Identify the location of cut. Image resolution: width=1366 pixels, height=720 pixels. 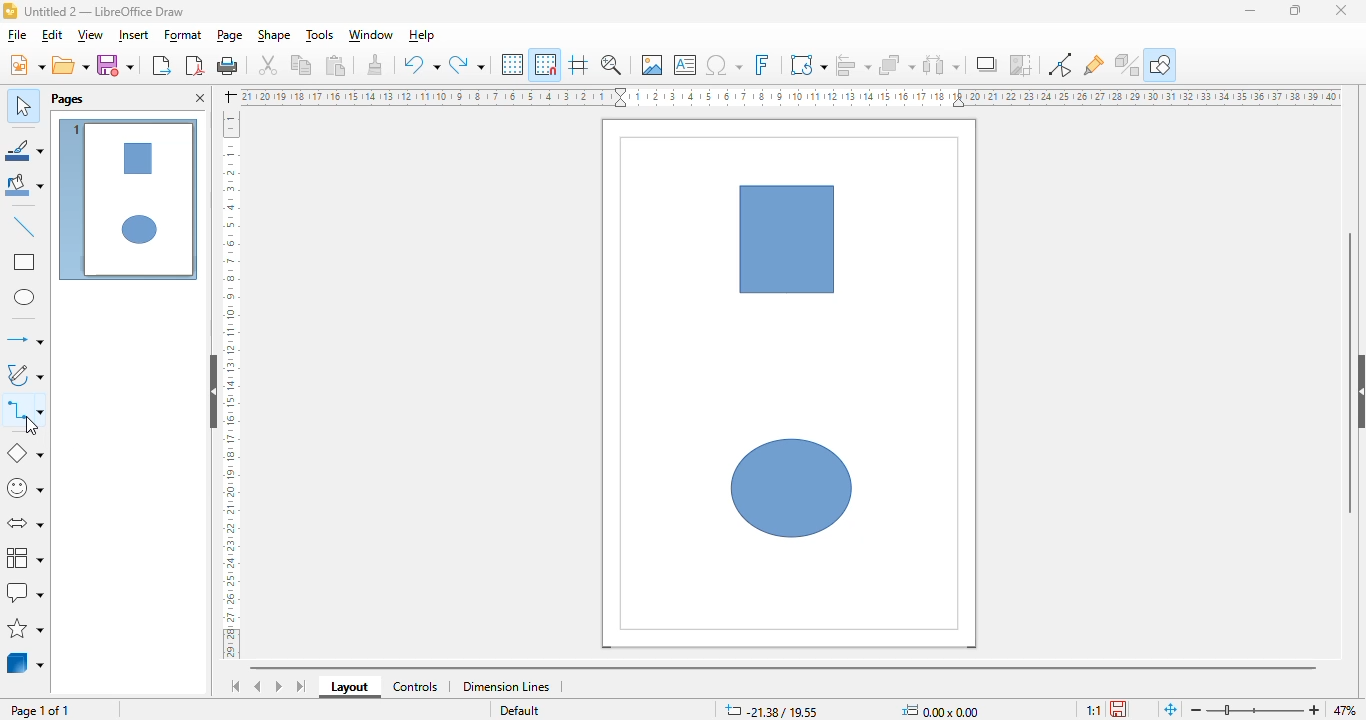
(268, 65).